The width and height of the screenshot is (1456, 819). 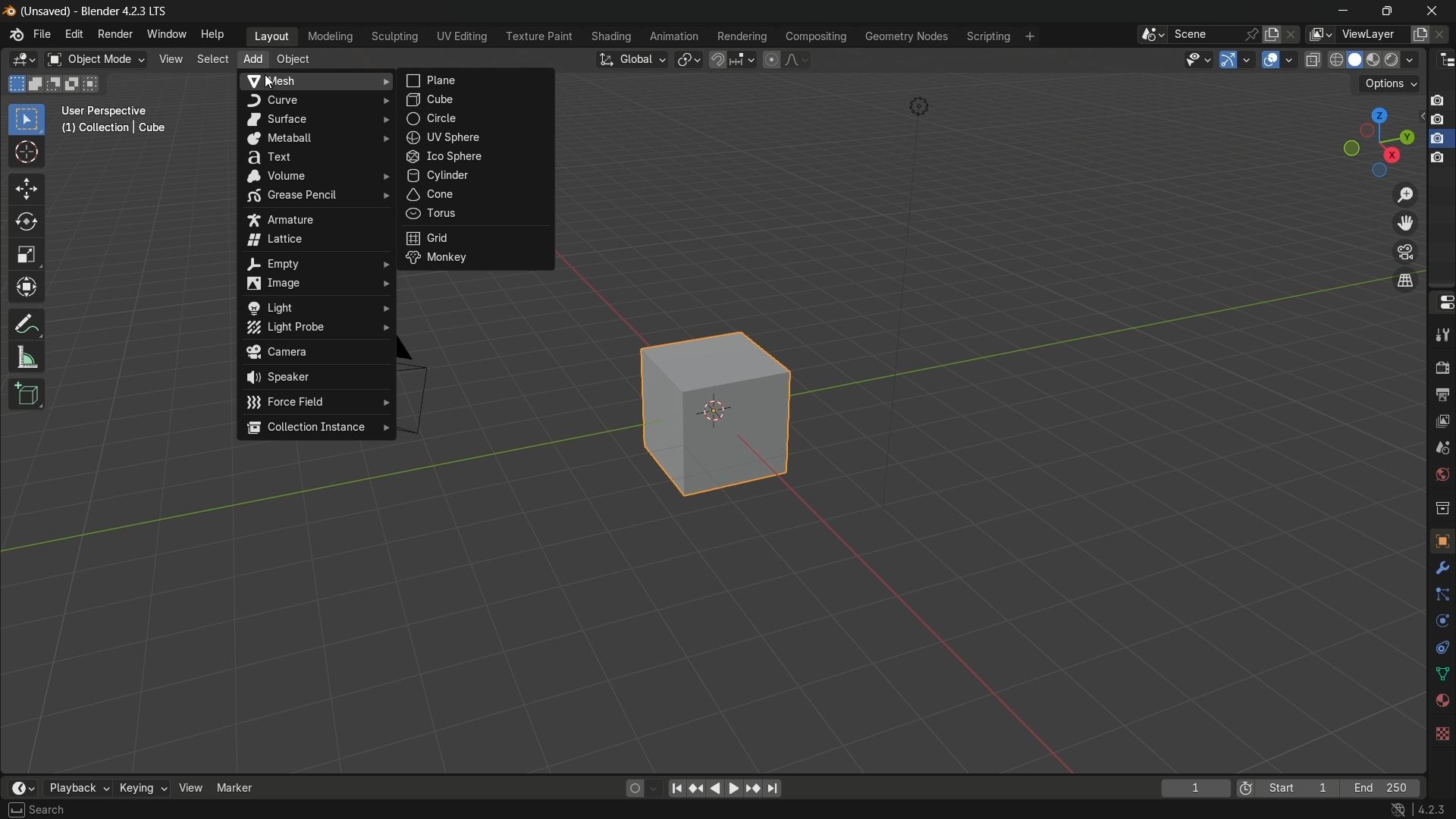 What do you see at coordinates (905, 37) in the screenshot?
I see `geometry nodes` at bounding box center [905, 37].